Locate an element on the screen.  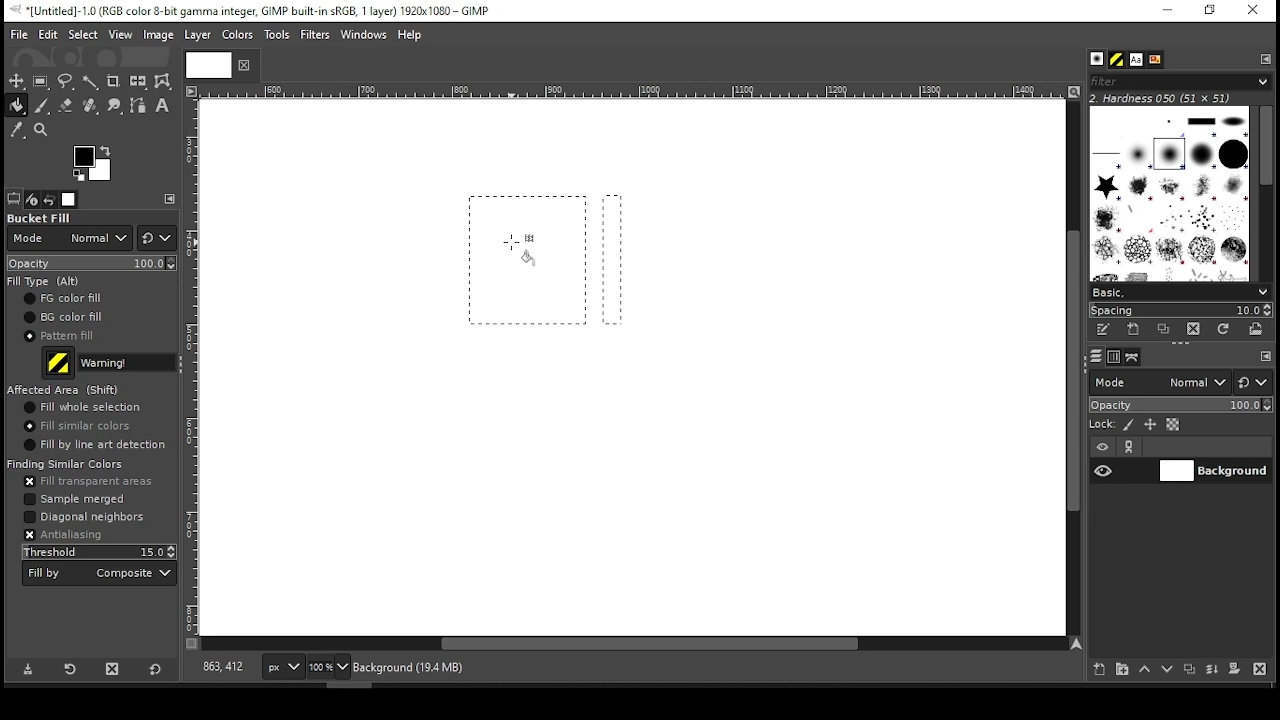
fuzzy selection tool is located at coordinates (91, 82).